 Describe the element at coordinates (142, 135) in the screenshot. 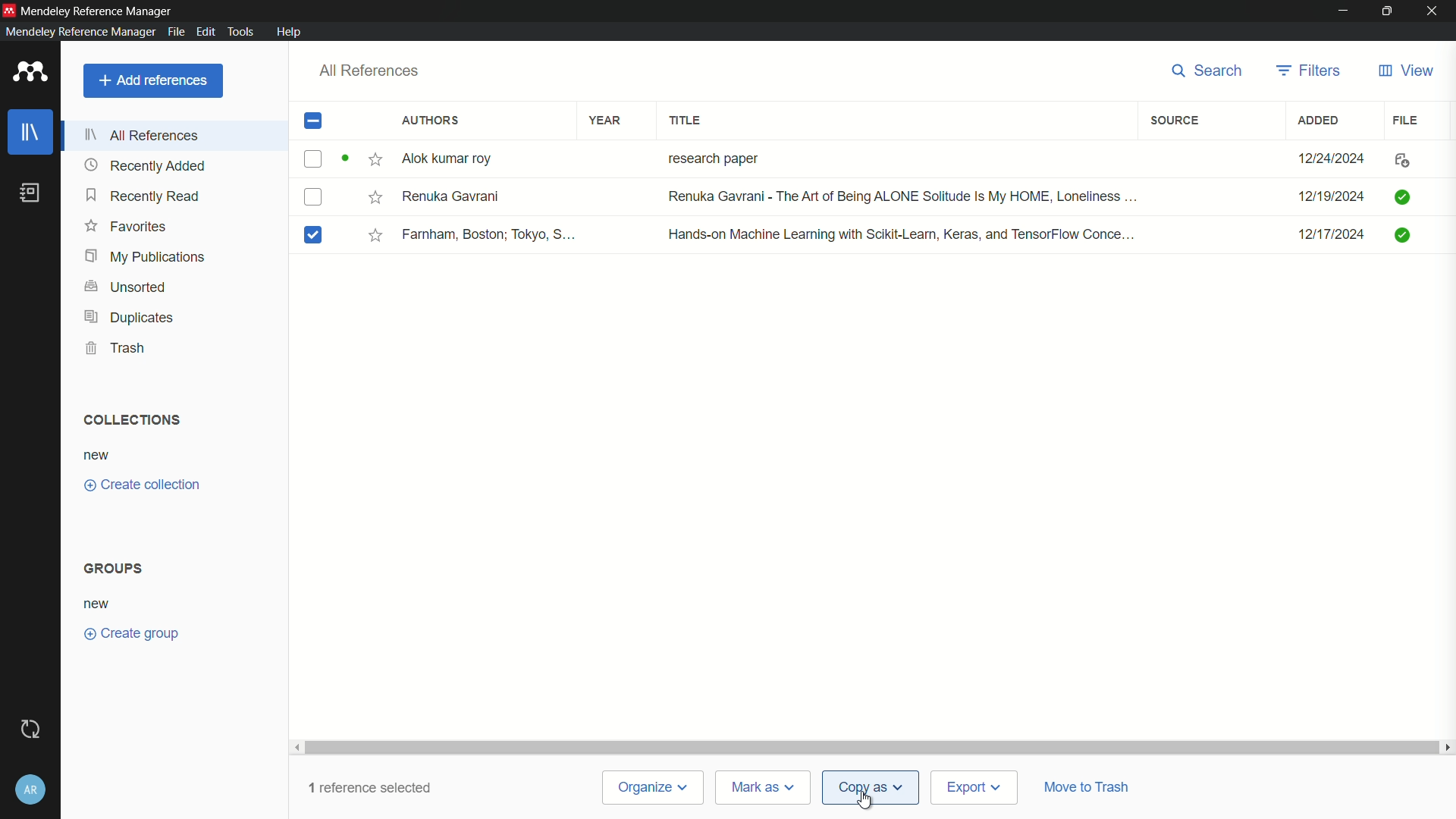

I see `all references` at that location.